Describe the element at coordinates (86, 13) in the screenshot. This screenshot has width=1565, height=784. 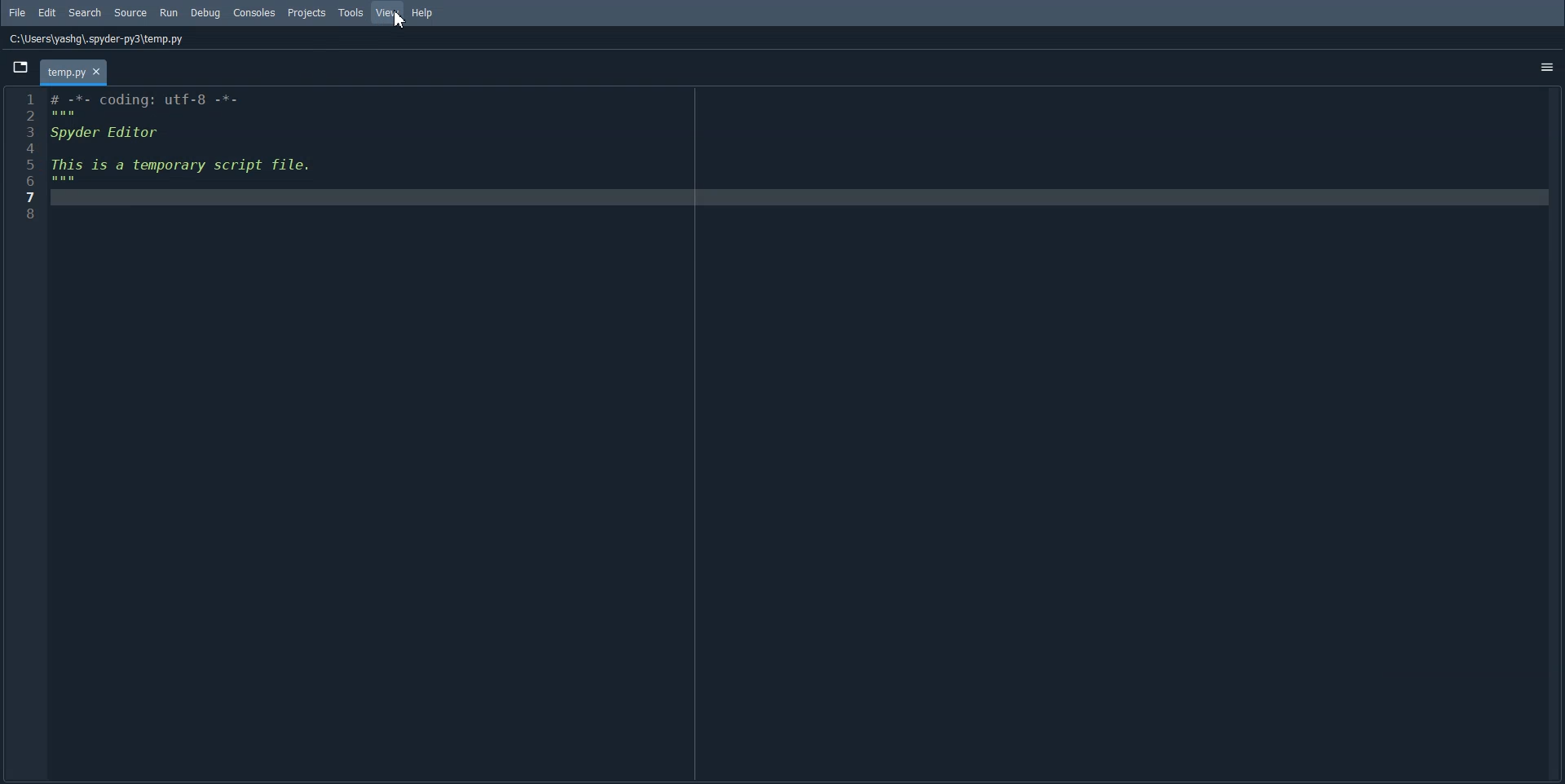
I see `Search` at that location.